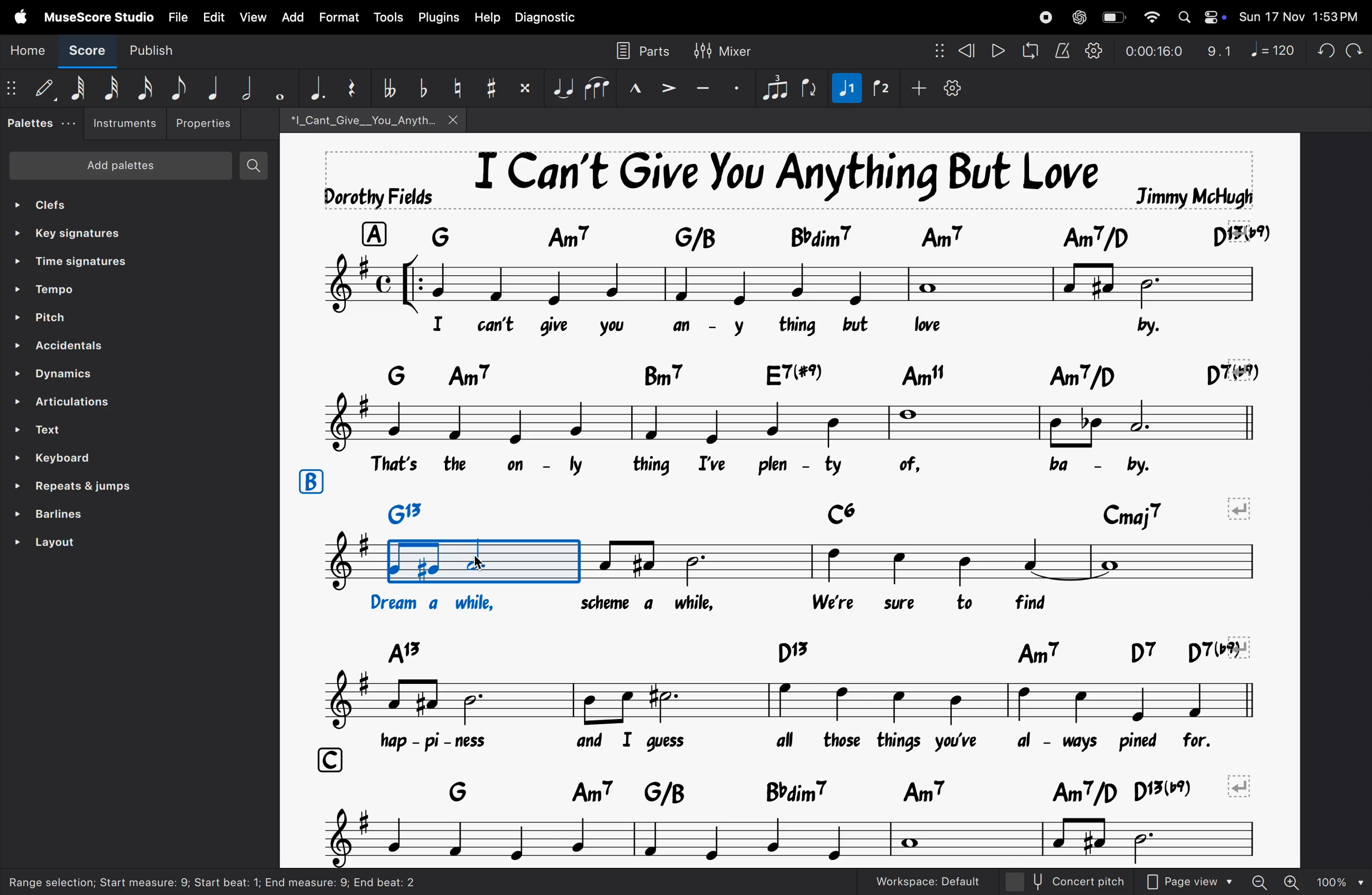  What do you see at coordinates (84, 54) in the screenshot?
I see `Score` at bounding box center [84, 54].